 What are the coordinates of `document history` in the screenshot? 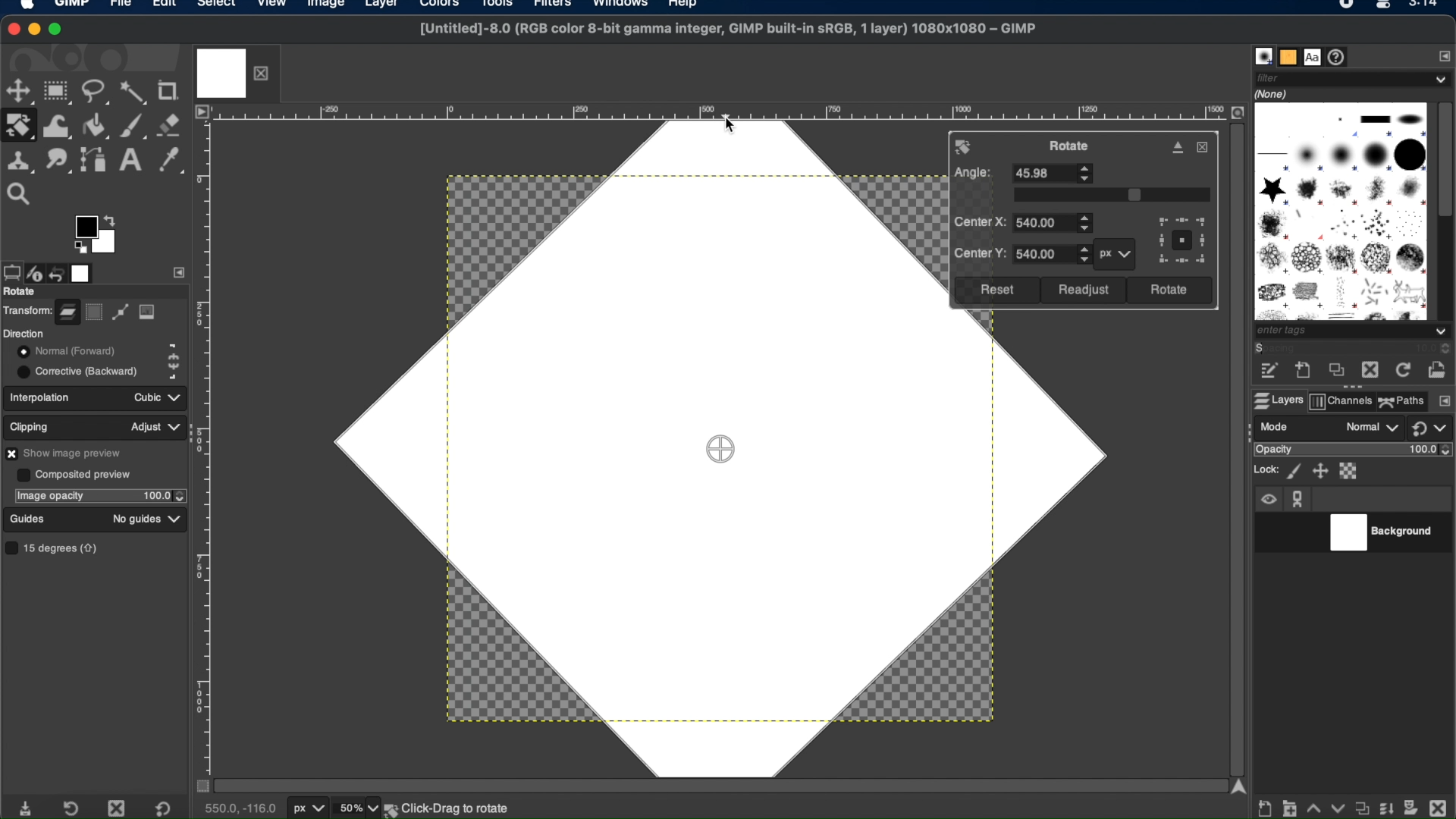 It's located at (1340, 57).